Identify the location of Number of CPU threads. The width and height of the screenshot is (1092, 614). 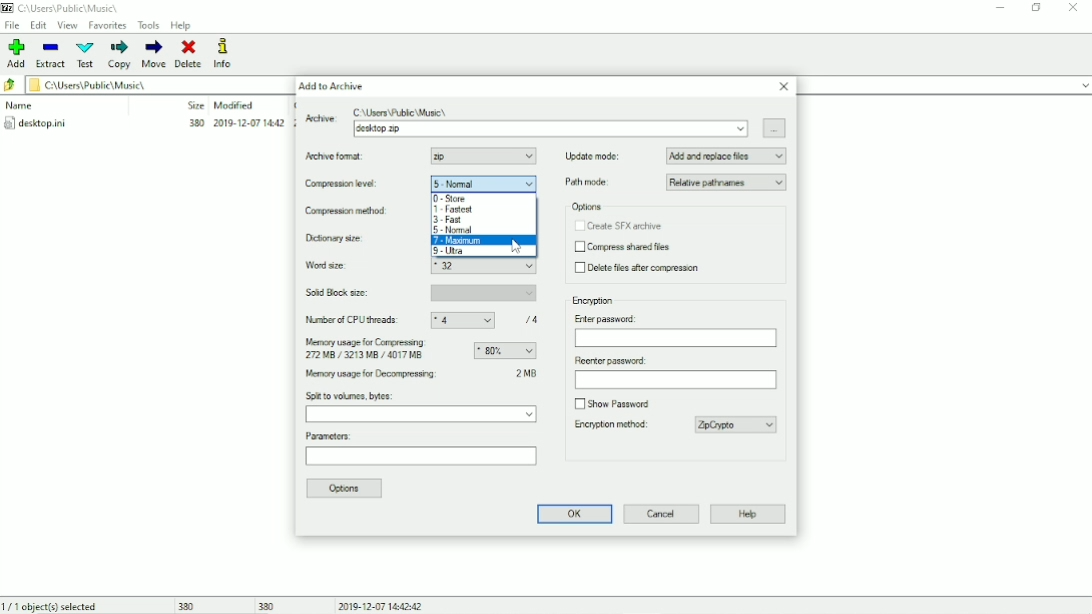
(427, 320).